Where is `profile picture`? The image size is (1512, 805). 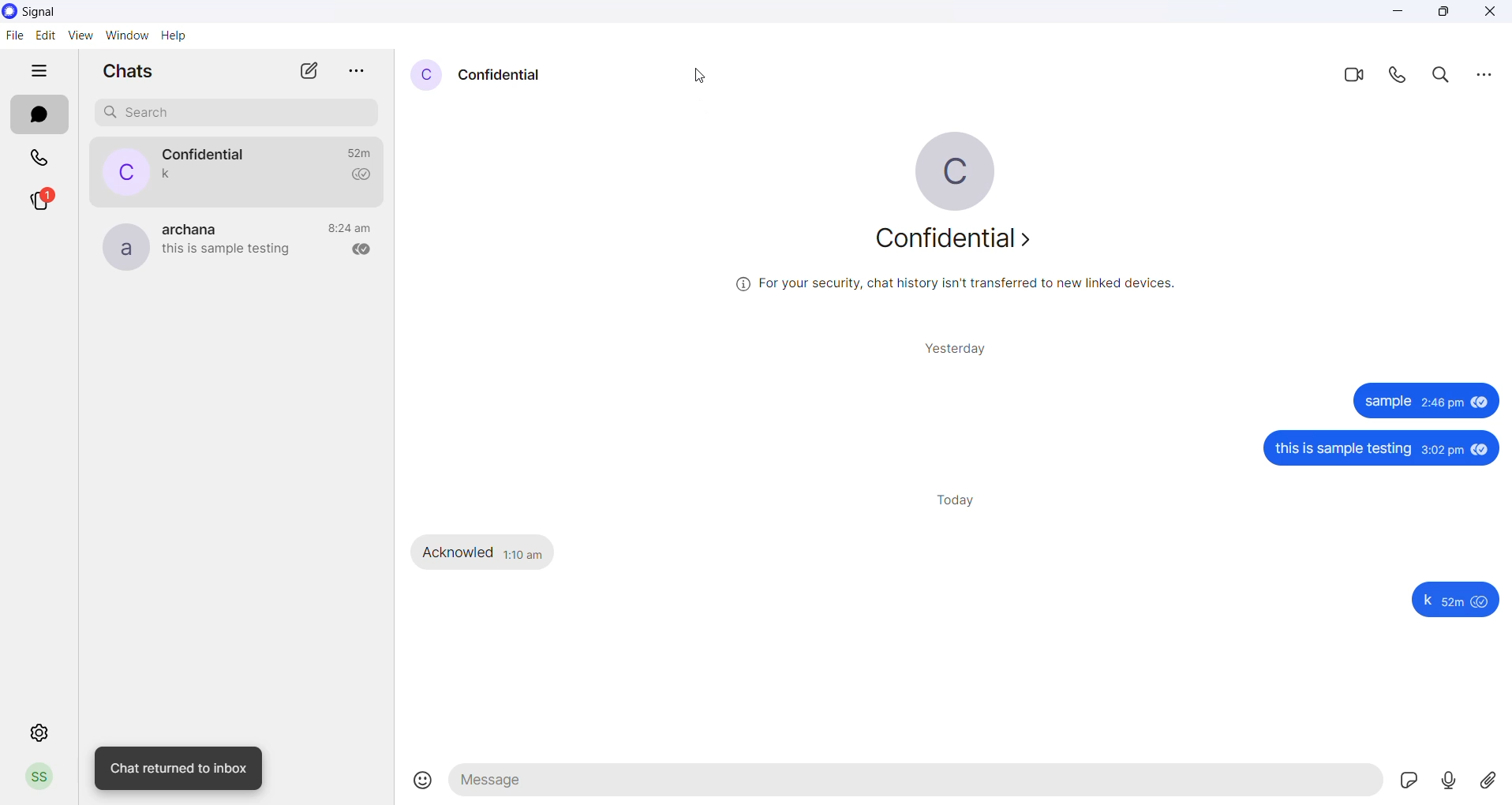 profile picture is located at coordinates (957, 171).